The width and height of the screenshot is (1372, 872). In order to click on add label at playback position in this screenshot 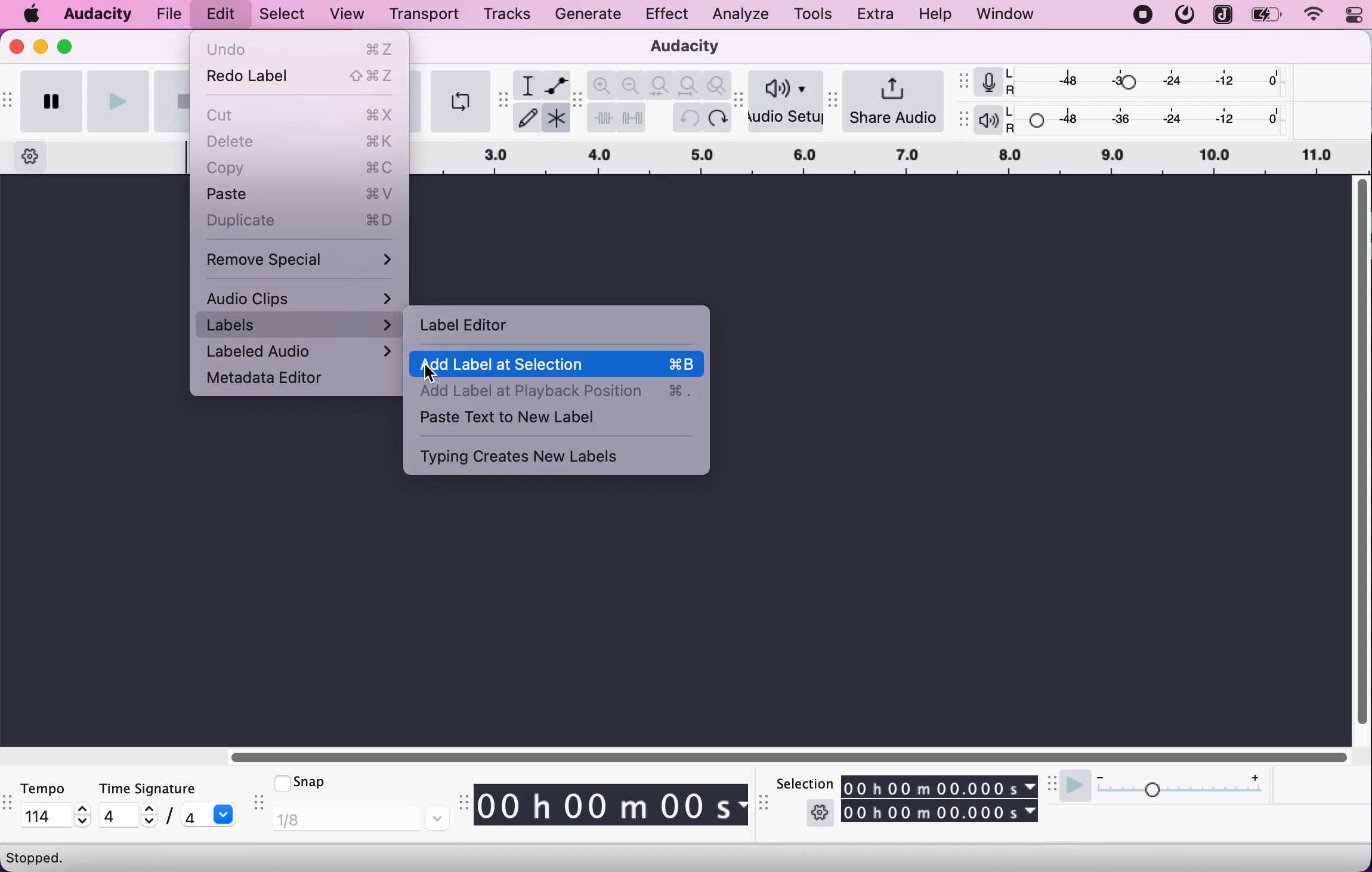, I will do `click(556, 391)`.